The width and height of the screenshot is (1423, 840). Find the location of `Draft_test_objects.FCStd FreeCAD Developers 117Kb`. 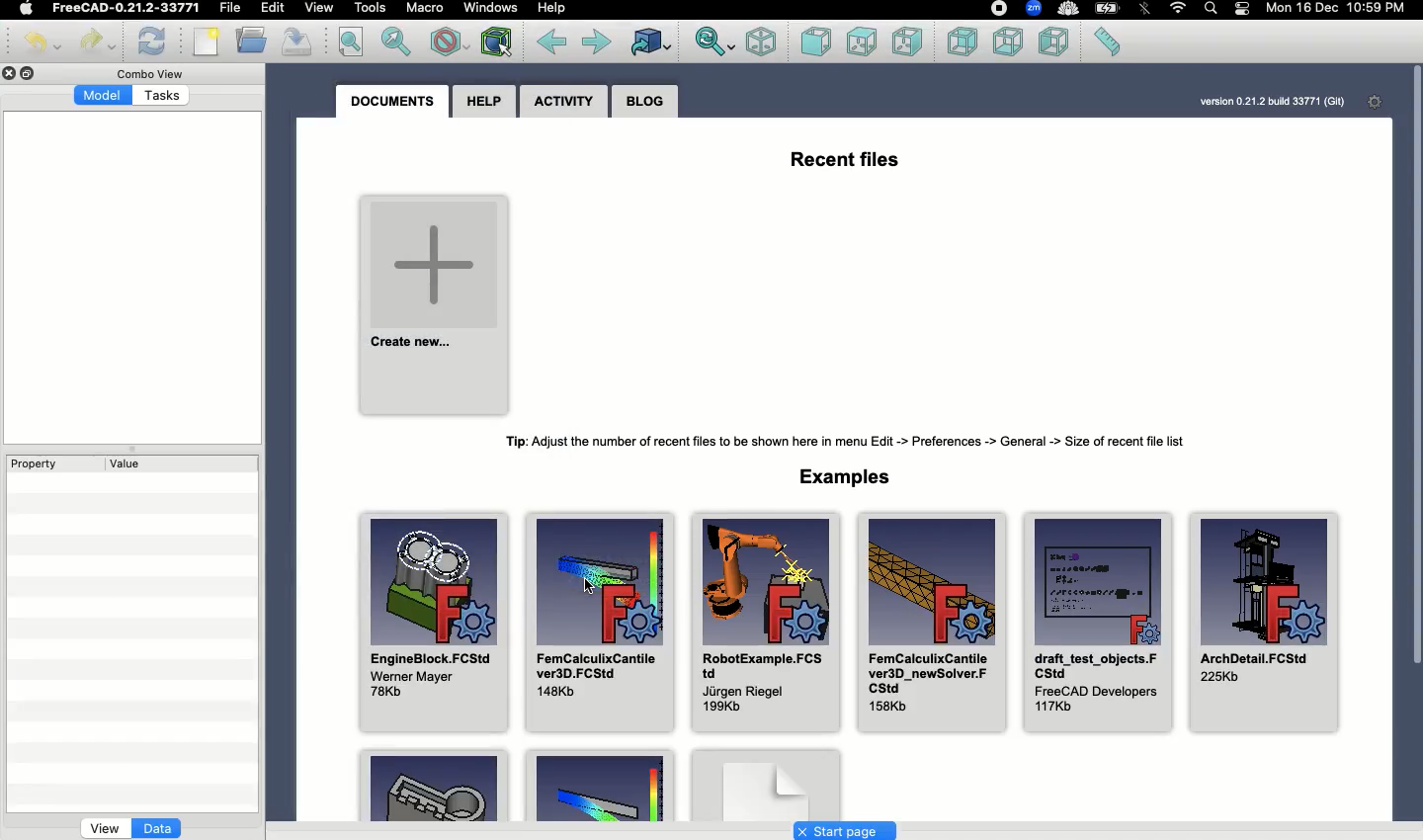

Draft_test_objects.FCStd FreeCAD Developers 117Kb is located at coordinates (1094, 623).